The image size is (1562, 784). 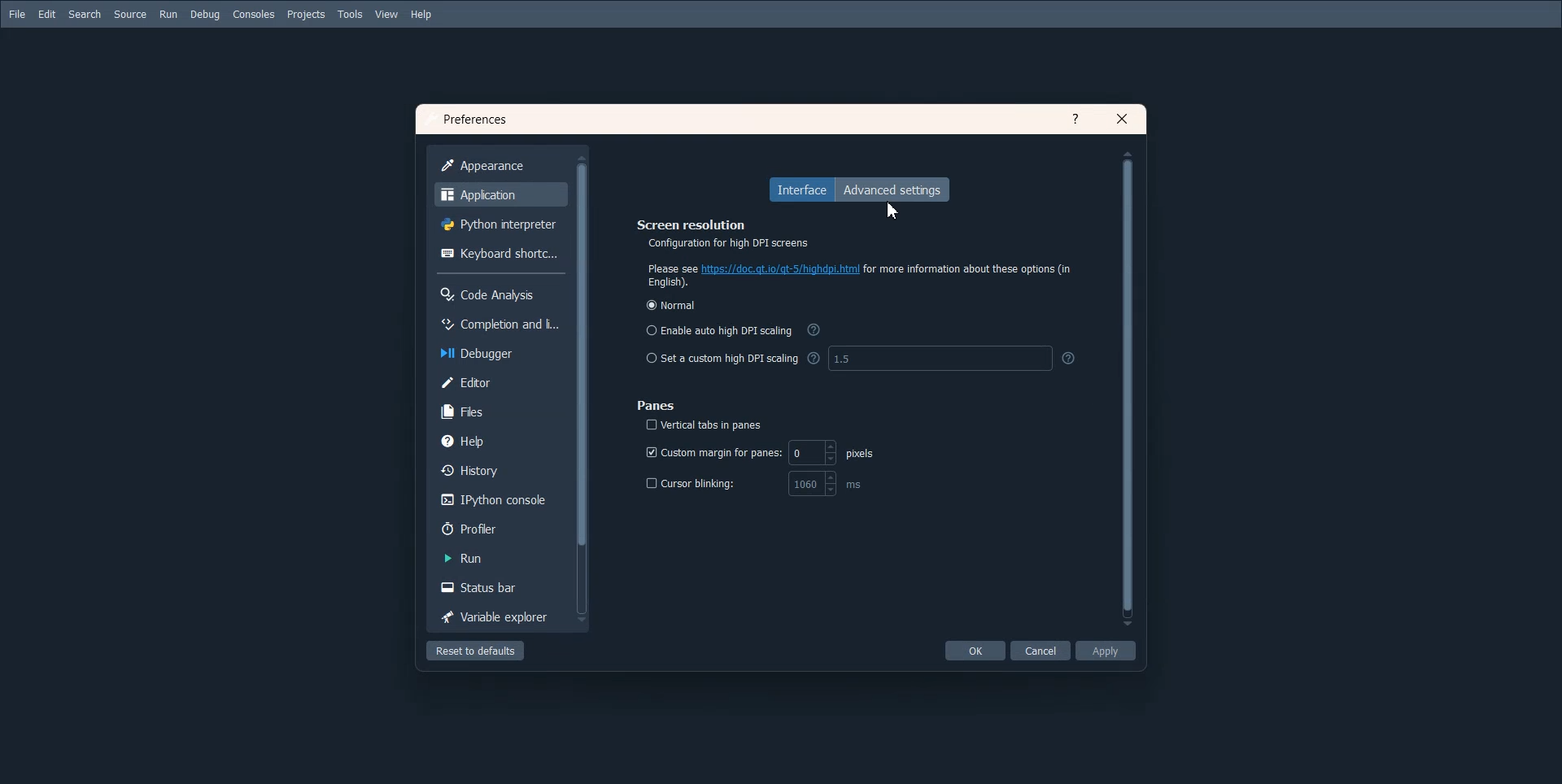 What do you see at coordinates (500, 411) in the screenshot?
I see `Files` at bounding box center [500, 411].